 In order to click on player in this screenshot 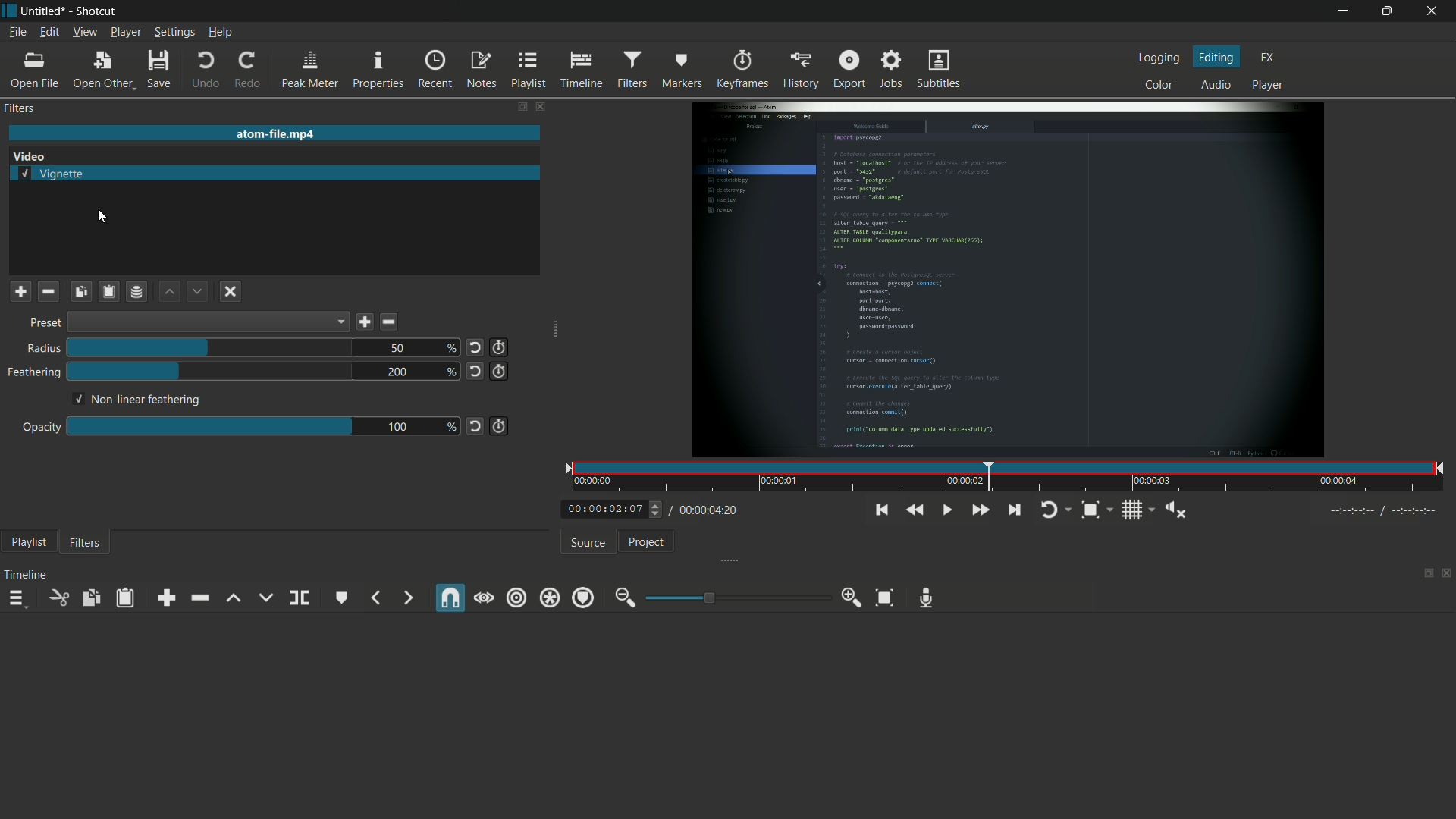, I will do `click(1266, 86)`.